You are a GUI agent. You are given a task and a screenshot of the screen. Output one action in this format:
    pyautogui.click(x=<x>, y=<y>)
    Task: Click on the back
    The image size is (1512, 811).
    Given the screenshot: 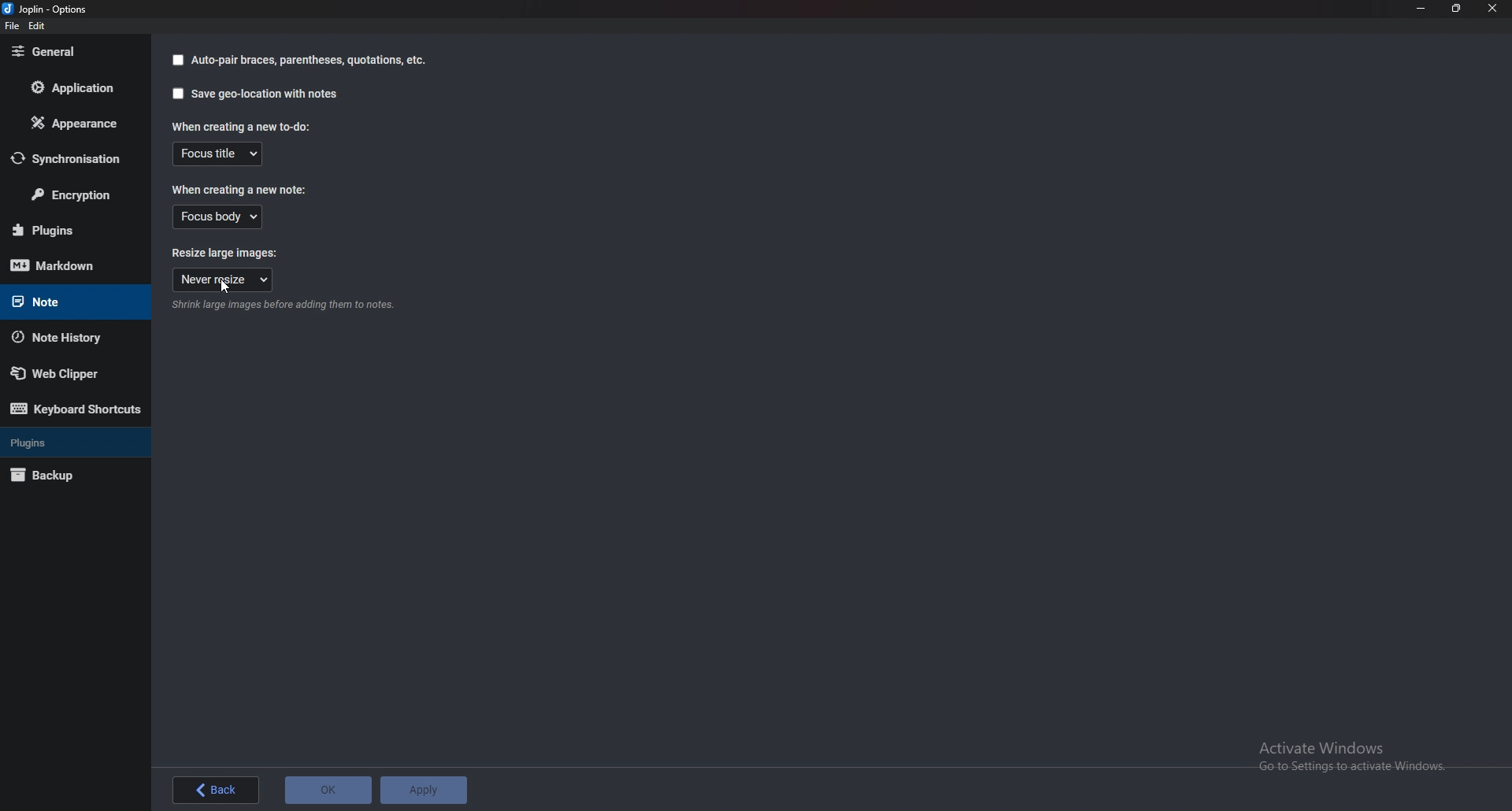 What is the action you would take?
    pyautogui.click(x=218, y=791)
    